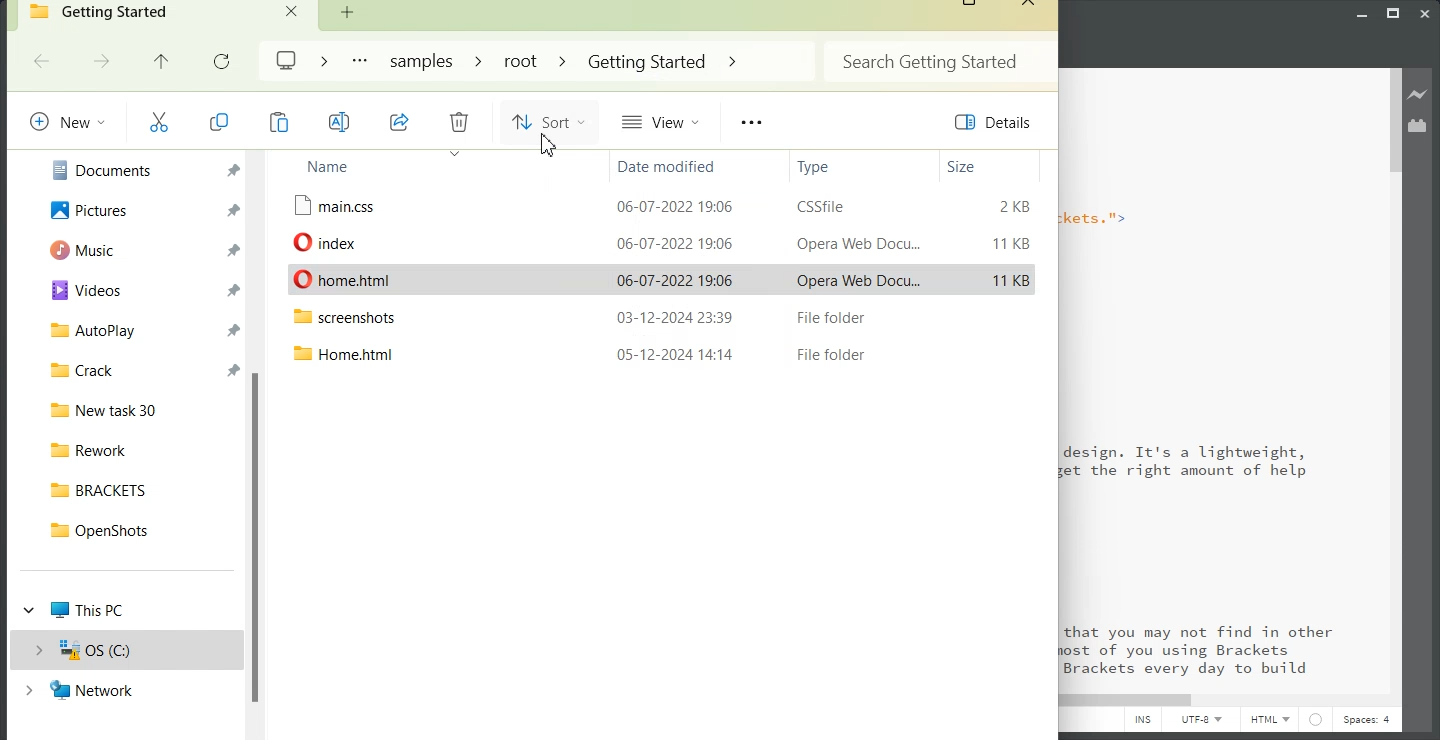 This screenshot has width=1440, height=740. What do you see at coordinates (843, 166) in the screenshot?
I see `Type` at bounding box center [843, 166].